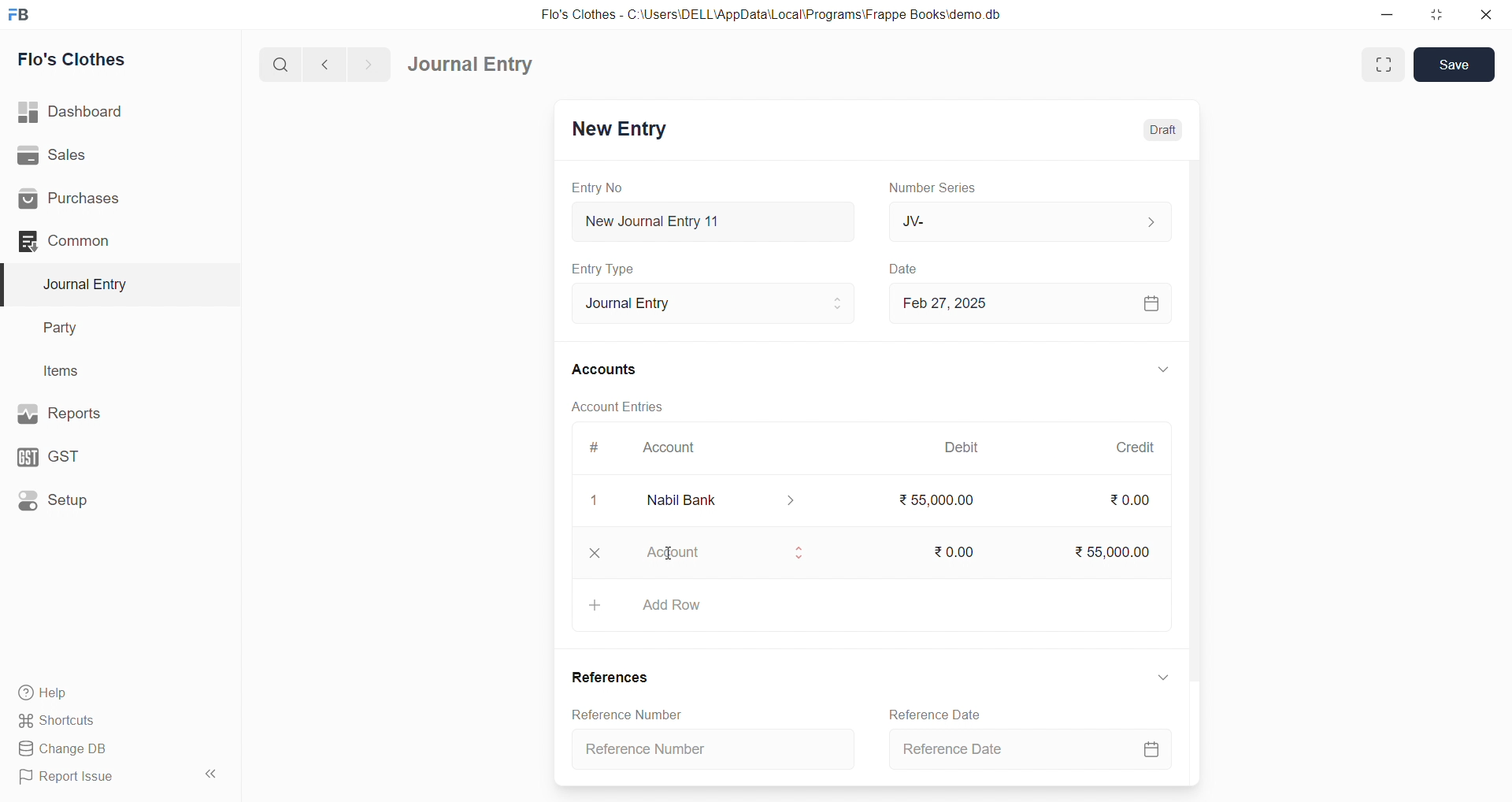 The image size is (1512, 802). Describe the element at coordinates (713, 221) in the screenshot. I see `New Journal Entry 11` at that location.